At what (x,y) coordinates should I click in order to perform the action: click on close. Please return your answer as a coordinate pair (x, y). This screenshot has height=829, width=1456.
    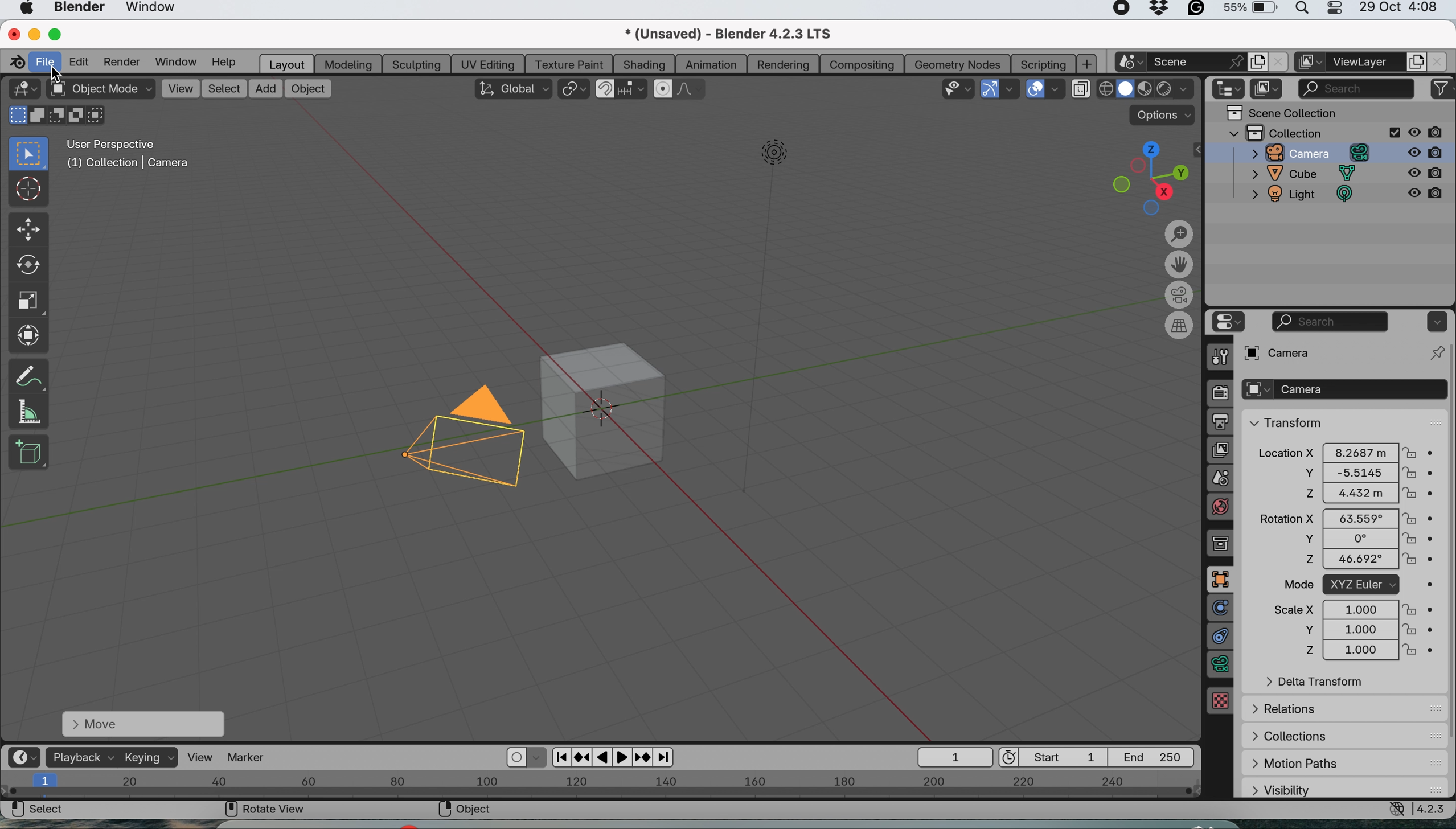
    Looking at the image, I should click on (1278, 62).